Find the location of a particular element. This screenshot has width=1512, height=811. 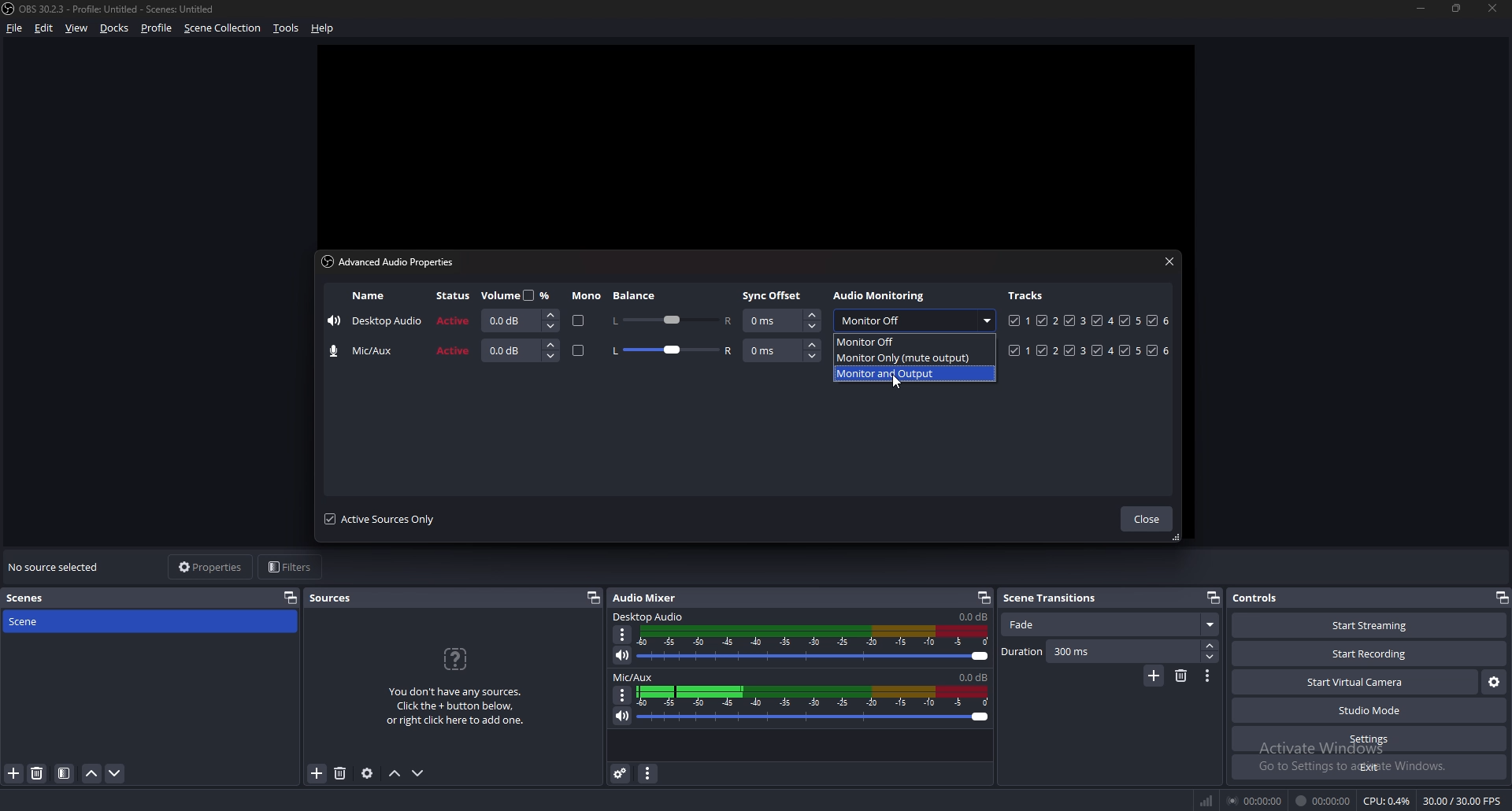

delete source is located at coordinates (342, 772).